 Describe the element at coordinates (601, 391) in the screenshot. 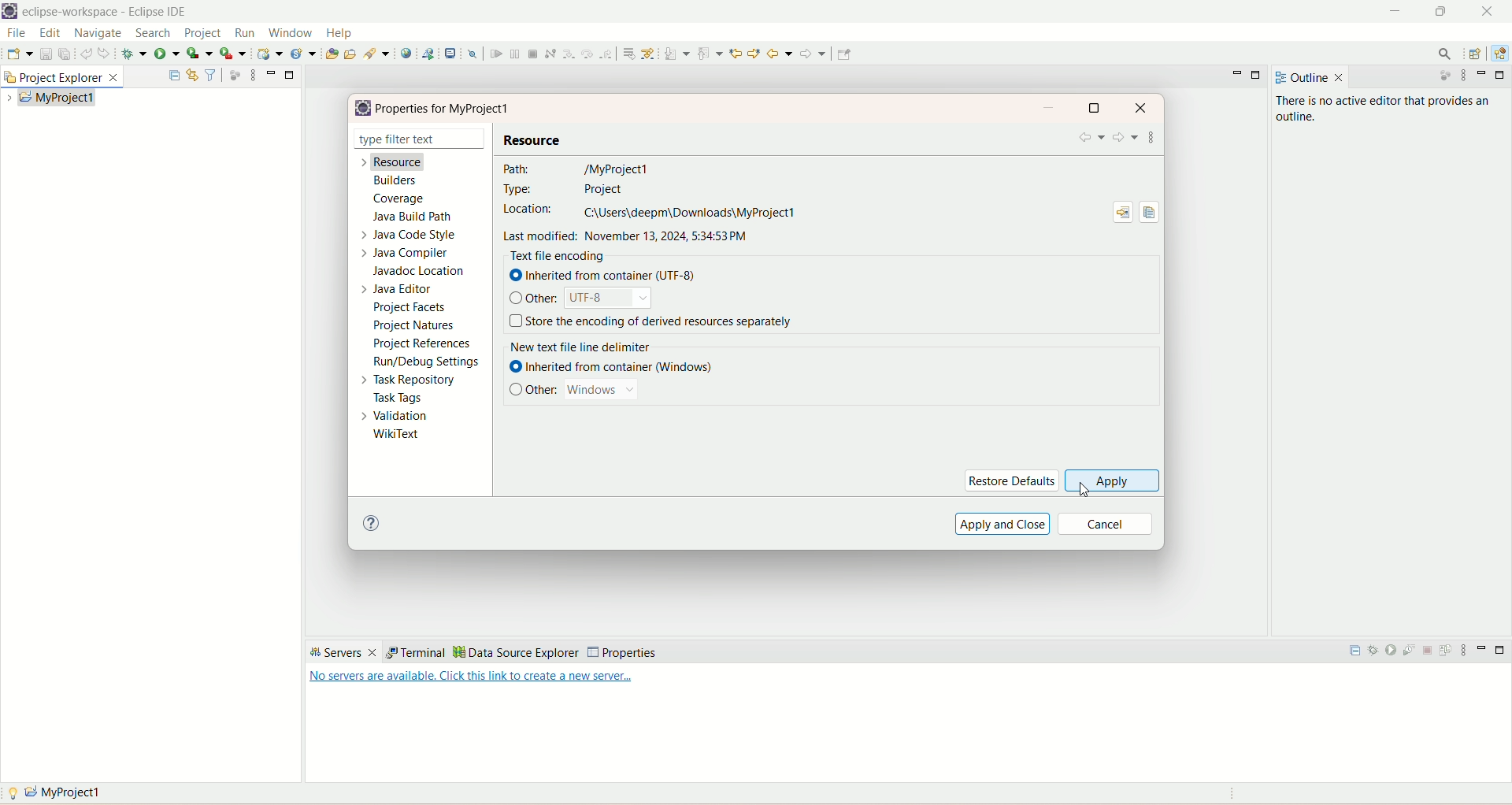

I see `windows` at that location.